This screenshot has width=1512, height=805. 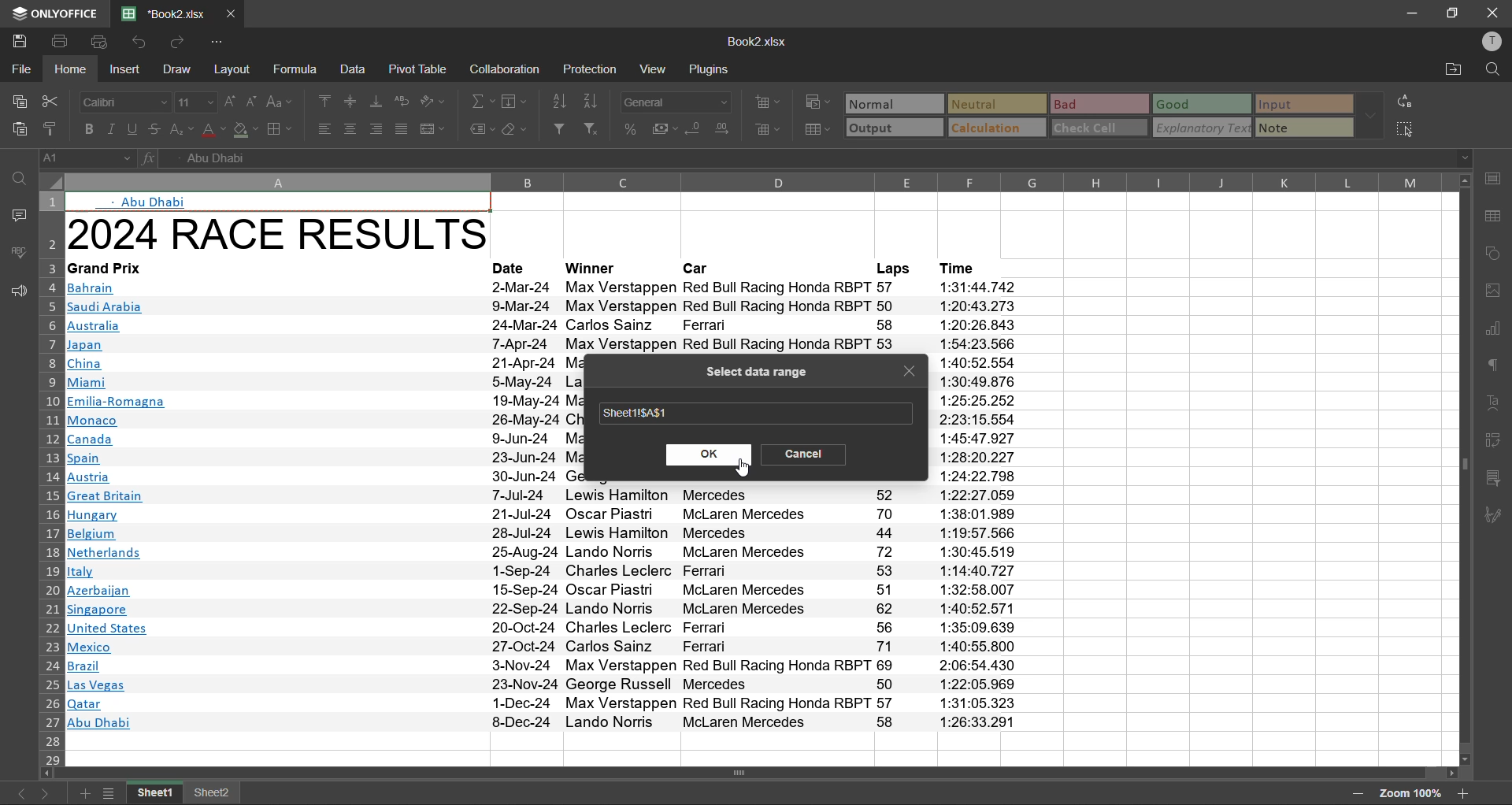 I want to click on zoom out, so click(x=1355, y=794).